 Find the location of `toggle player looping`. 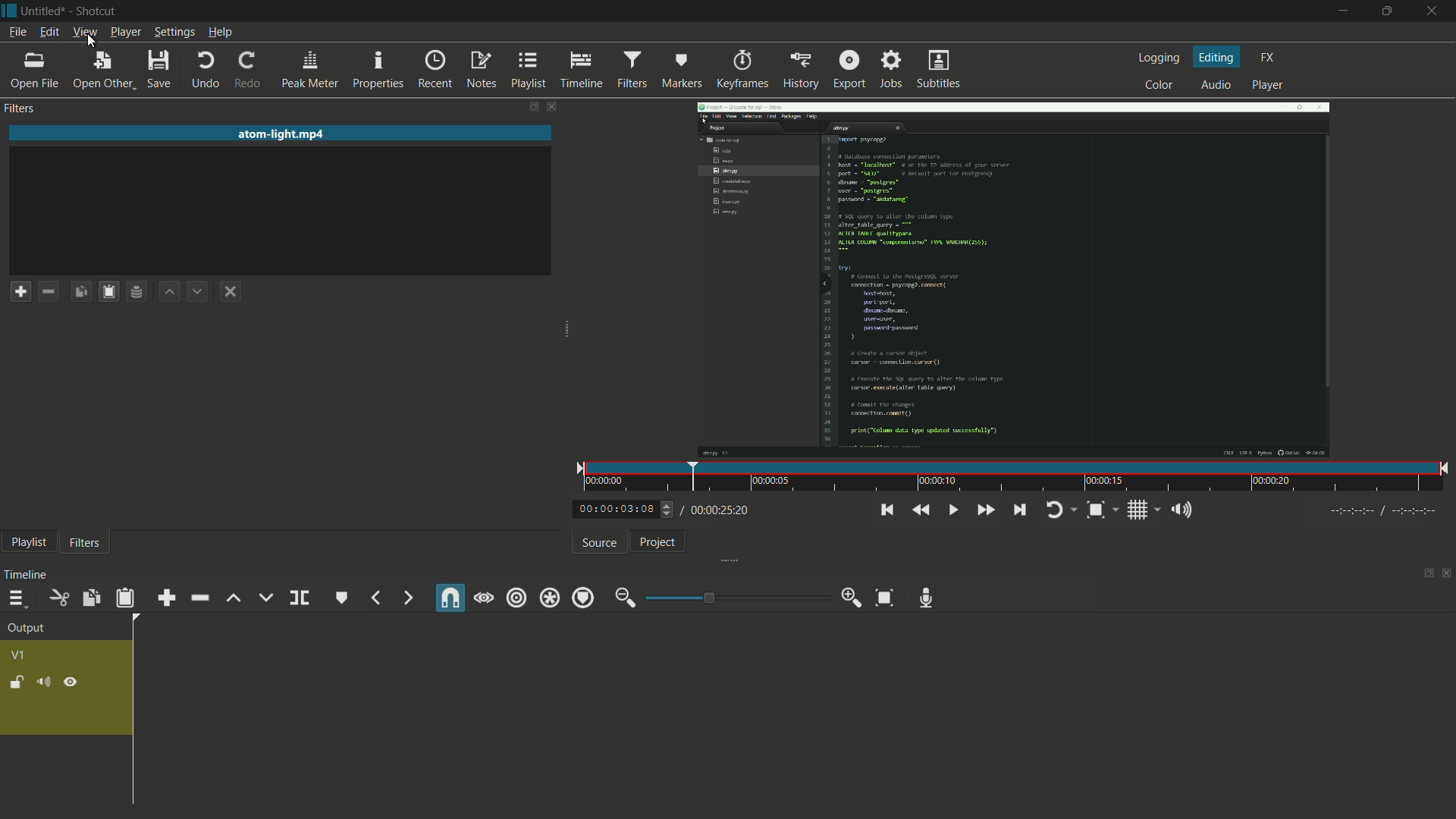

toggle player looping is located at coordinates (1056, 510).